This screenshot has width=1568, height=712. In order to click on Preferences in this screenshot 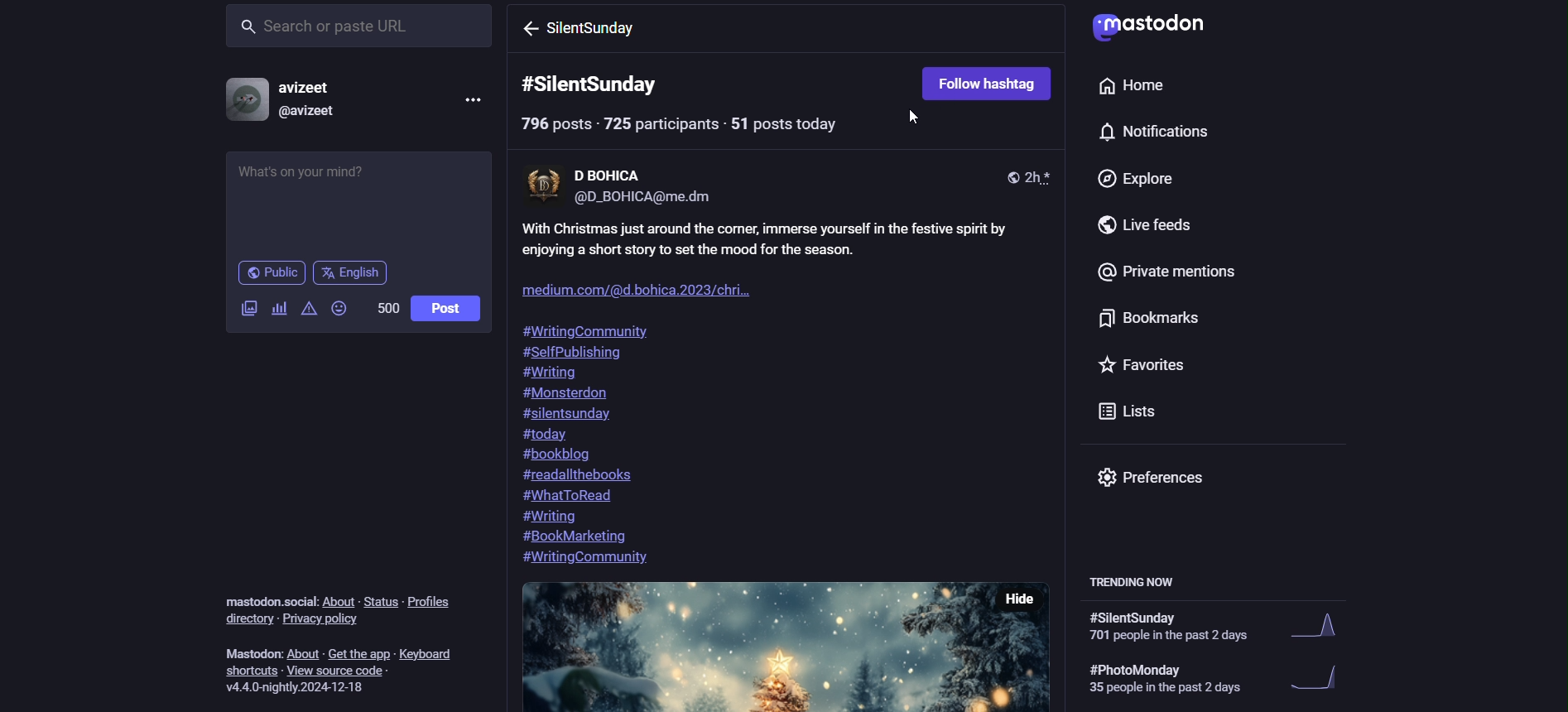, I will do `click(1155, 476)`.